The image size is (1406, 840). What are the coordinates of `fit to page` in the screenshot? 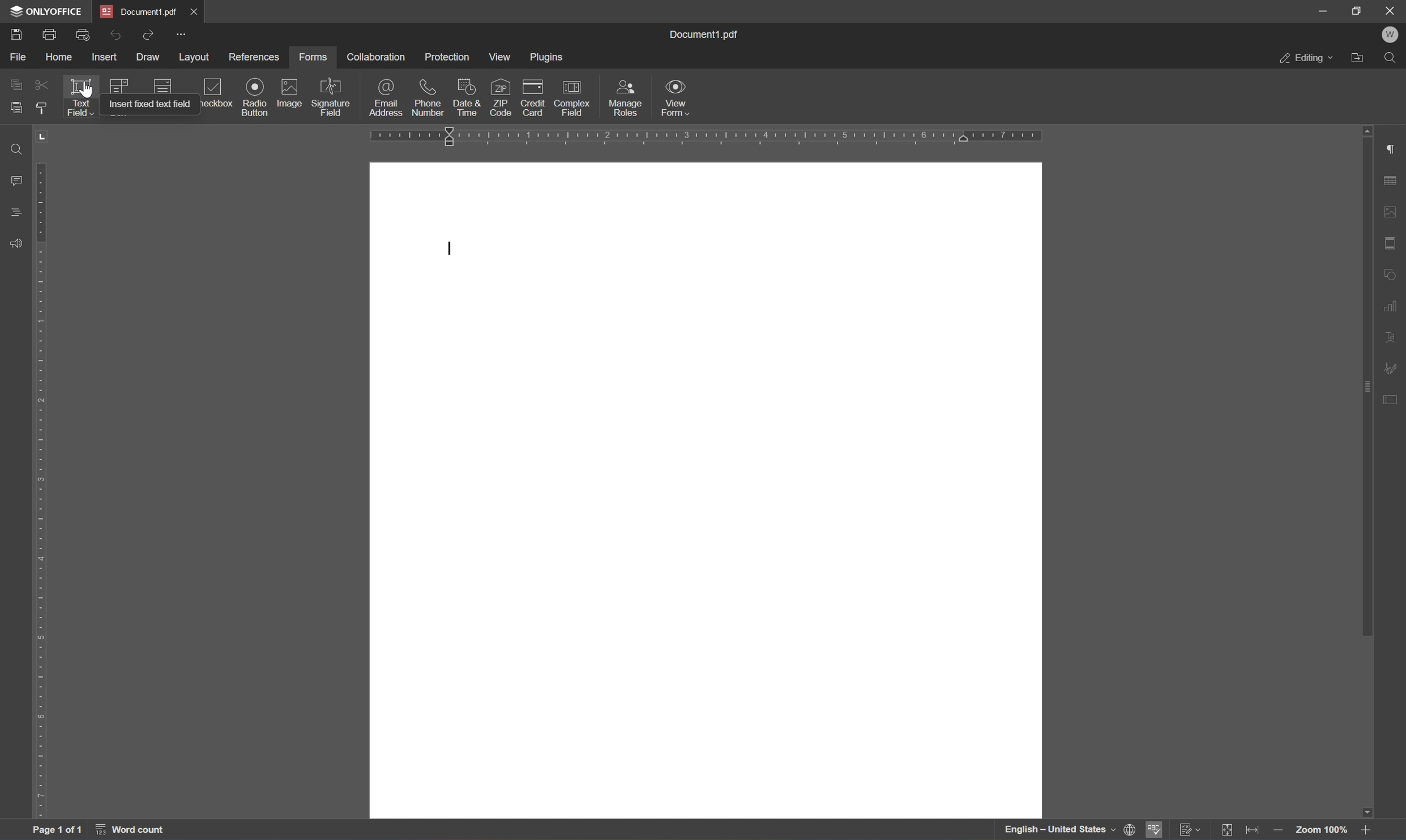 It's located at (1229, 829).